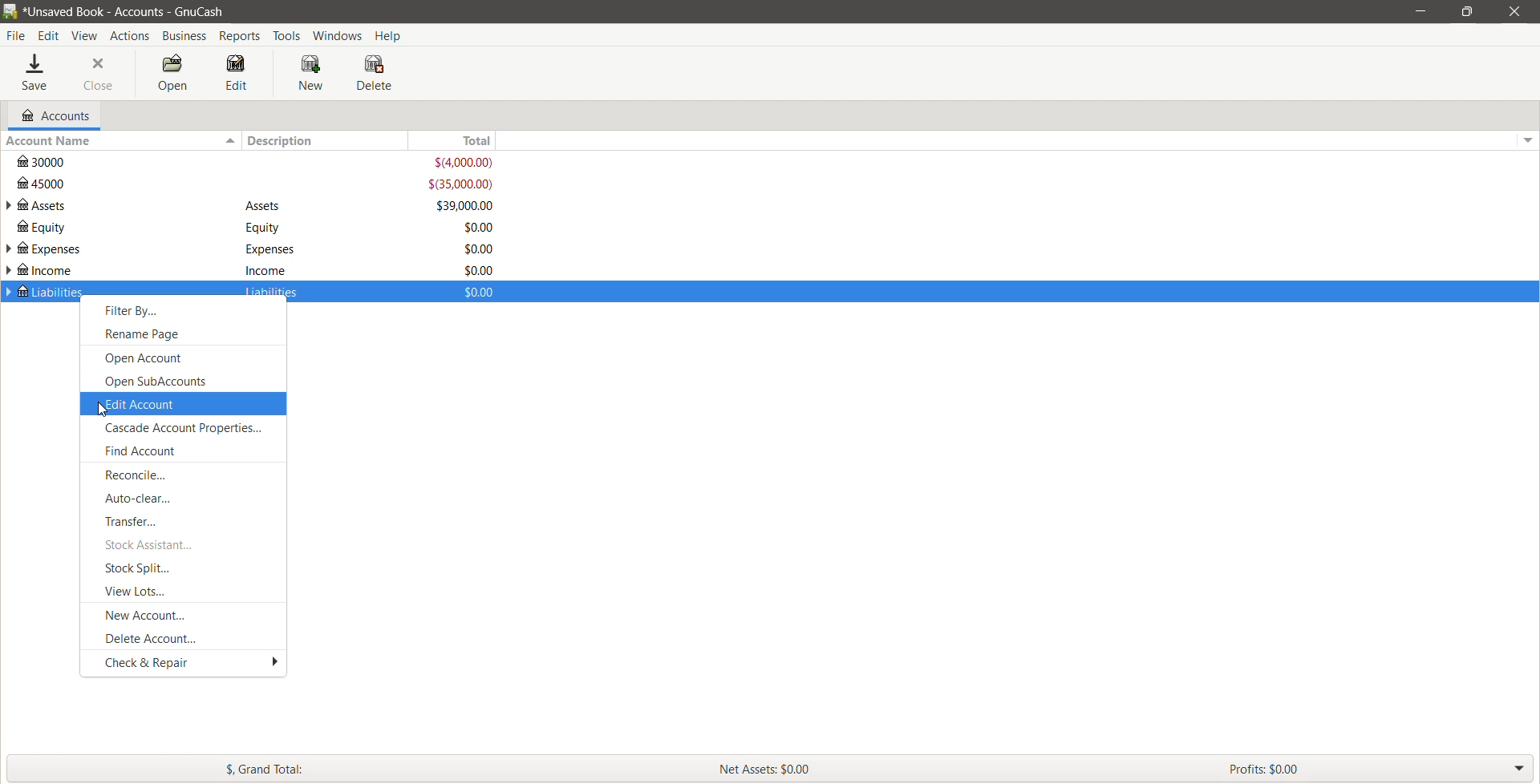 This screenshot has height=784, width=1540. What do you see at coordinates (10, 250) in the screenshot?
I see `expand subaccounts` at bounding box center [10, 250].